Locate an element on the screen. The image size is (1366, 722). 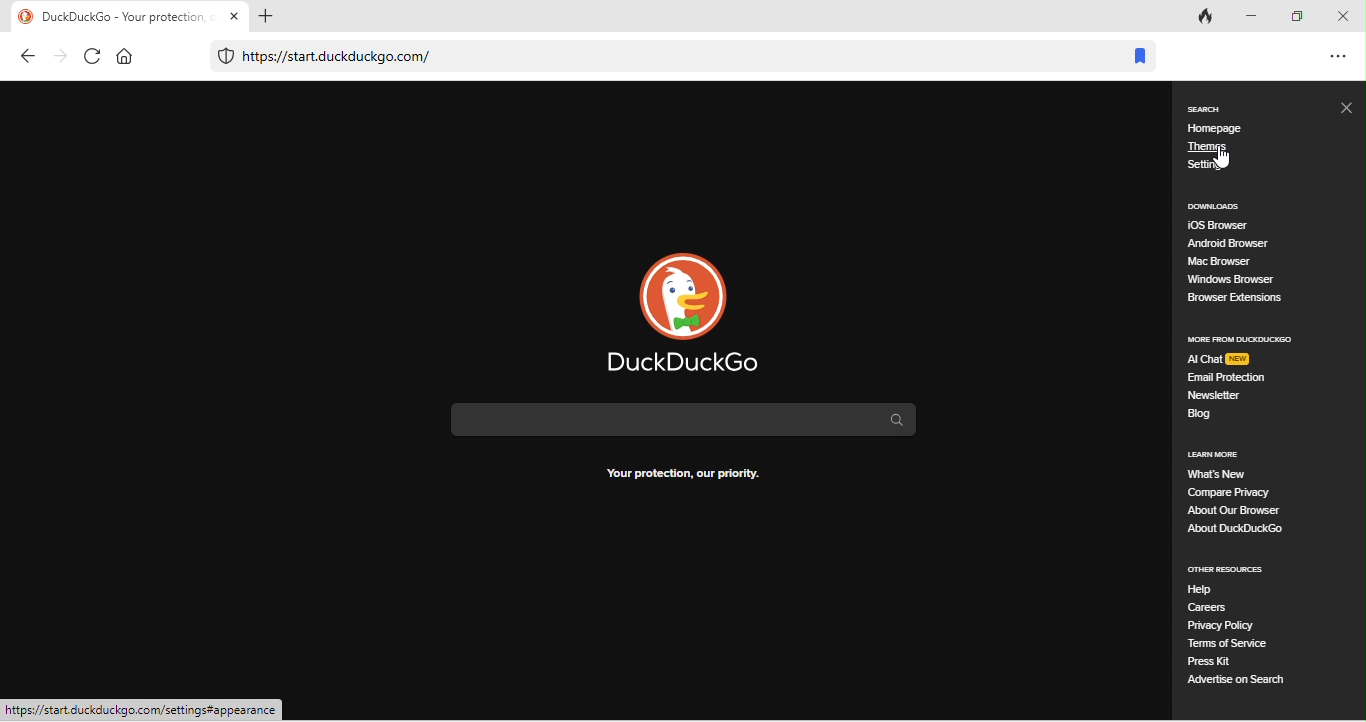
newsteller is located at coordinates (1215, 394).